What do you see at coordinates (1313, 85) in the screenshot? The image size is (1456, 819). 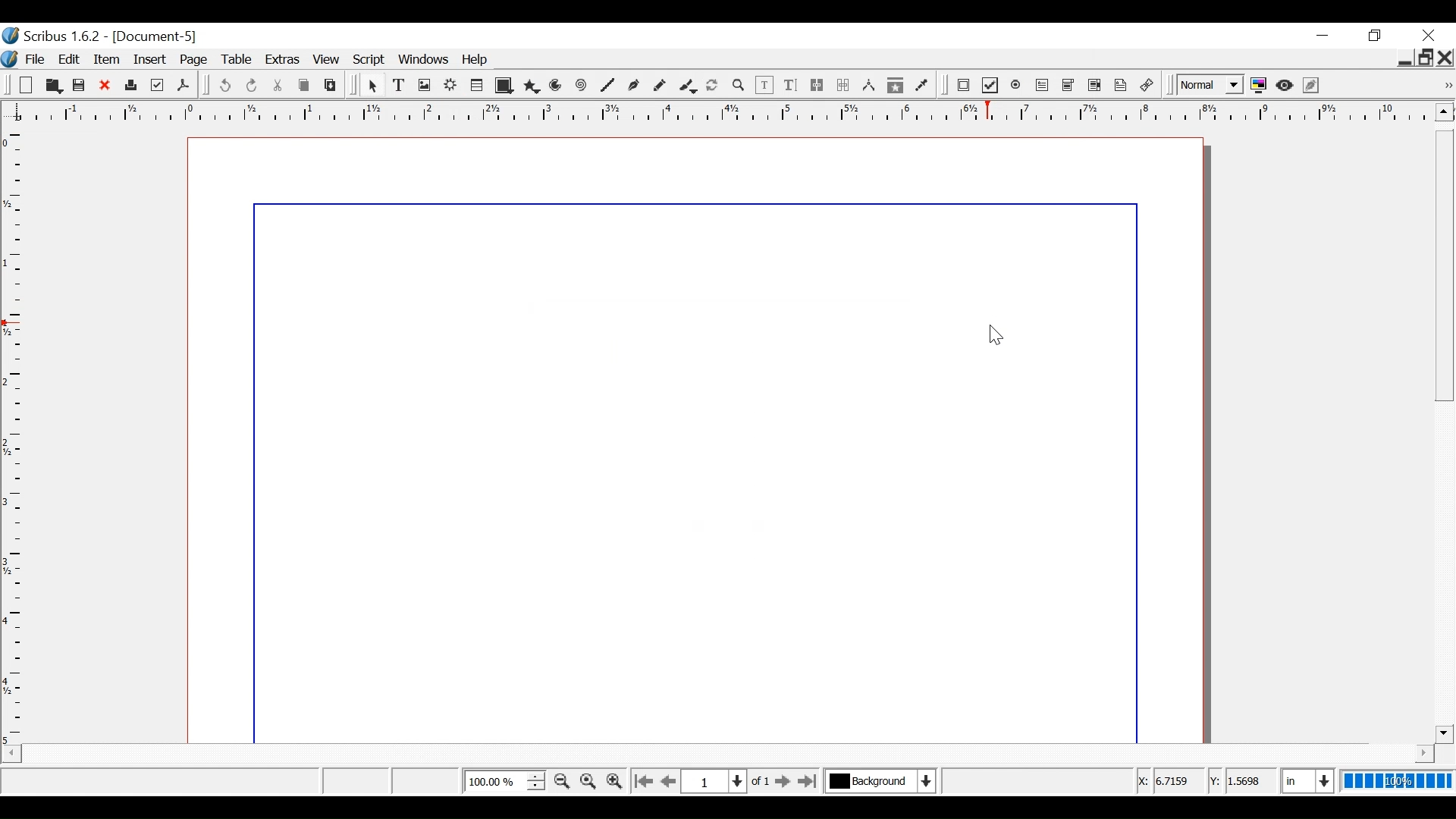 I see `Edit in Preview mode` at bounding box center [1313, 85].